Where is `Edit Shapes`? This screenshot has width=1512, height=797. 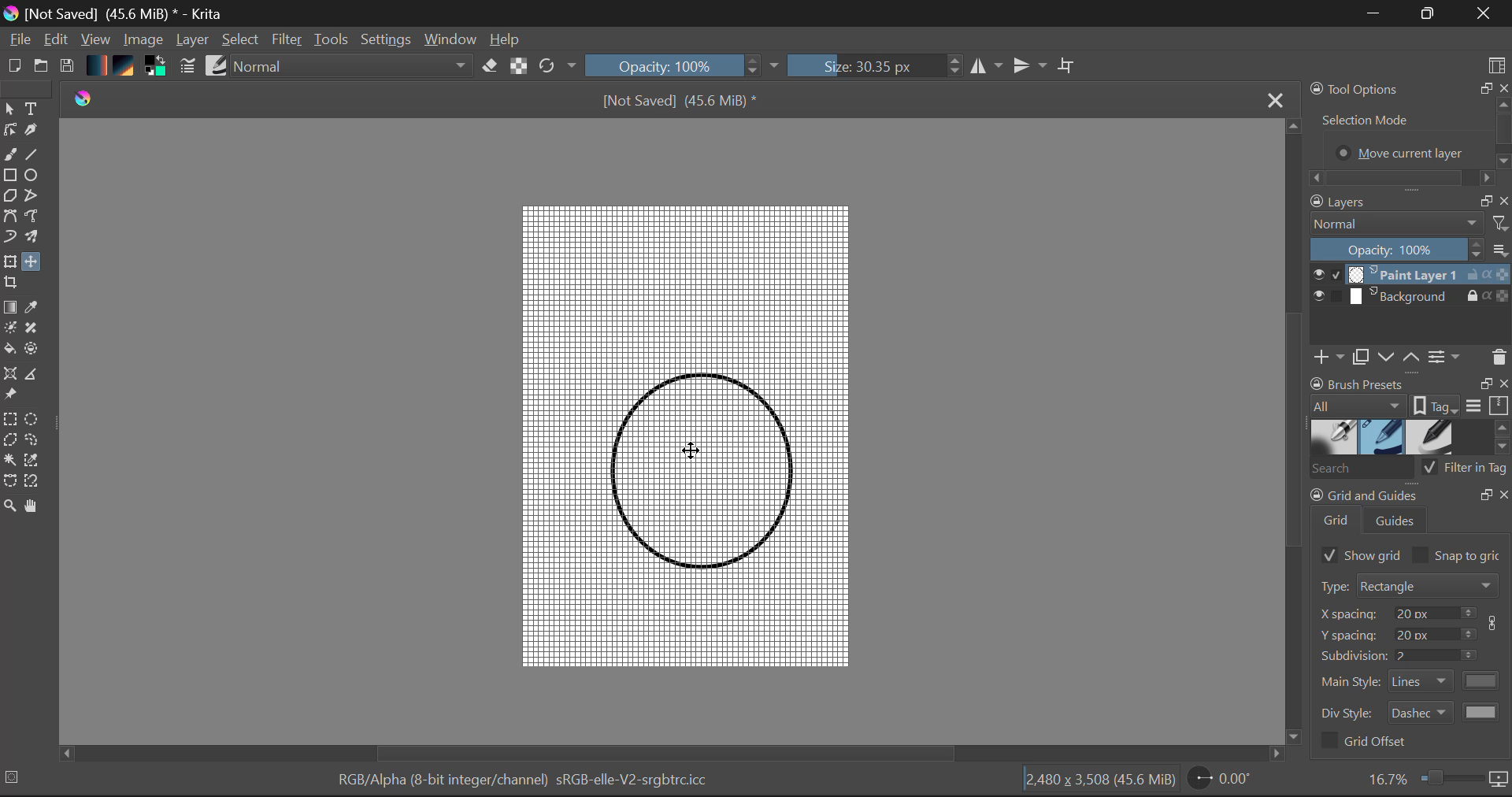 Edit Shapes is located at coordinates (13, 131).